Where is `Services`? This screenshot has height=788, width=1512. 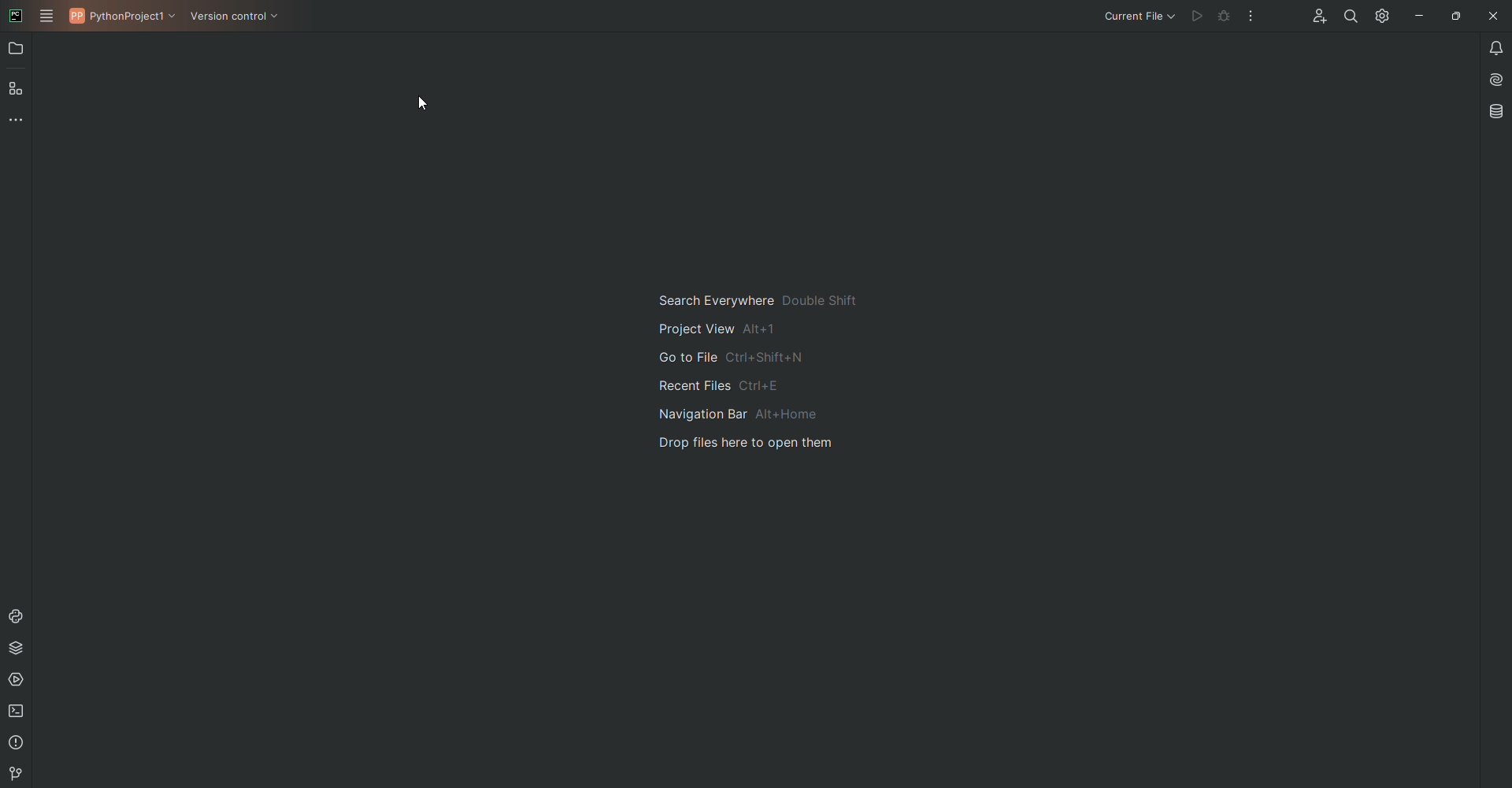 Services is located at coordinates (19, 683).